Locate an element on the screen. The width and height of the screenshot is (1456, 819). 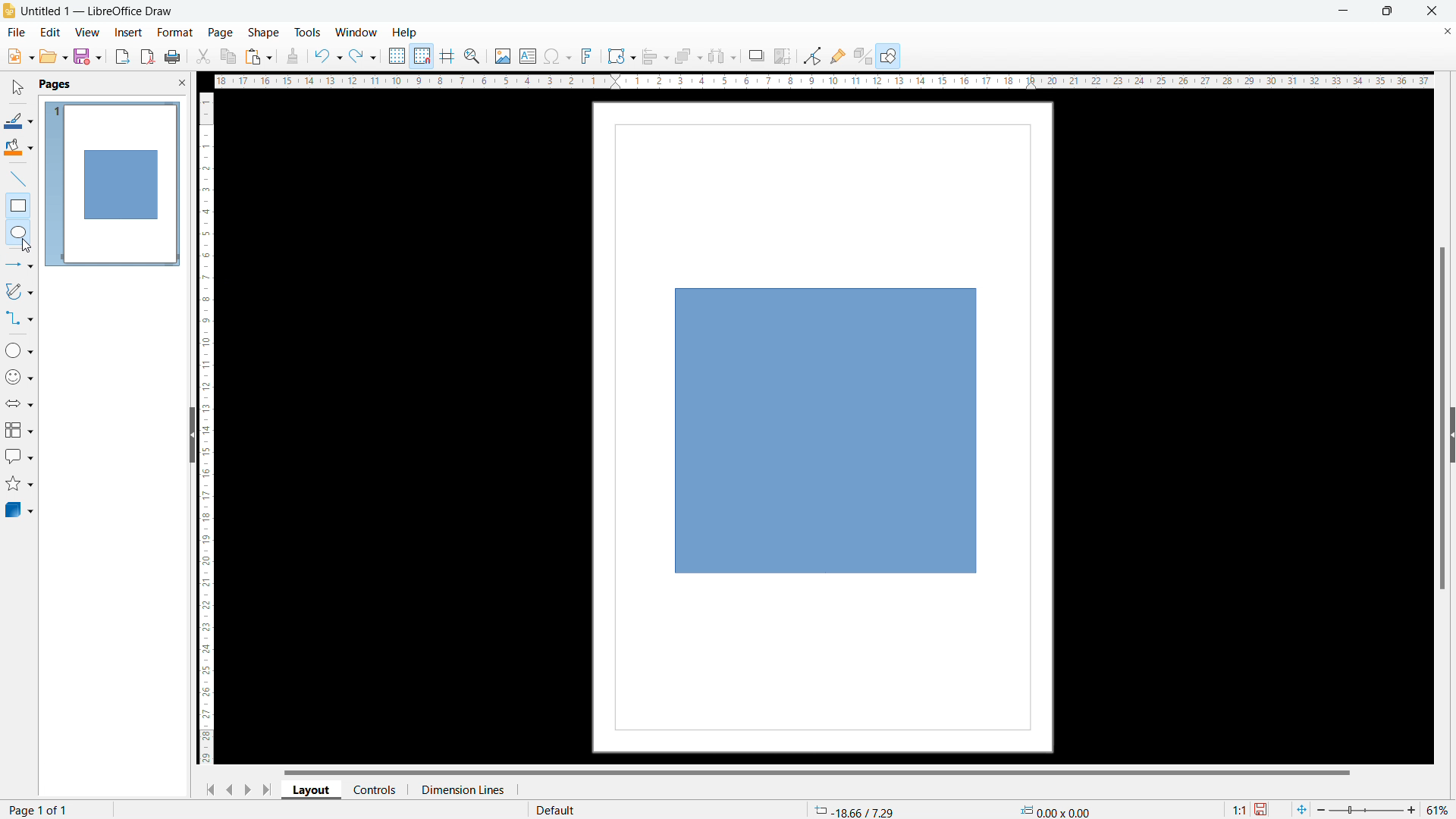
insert fontwork text is located at coordinates (587, 55).